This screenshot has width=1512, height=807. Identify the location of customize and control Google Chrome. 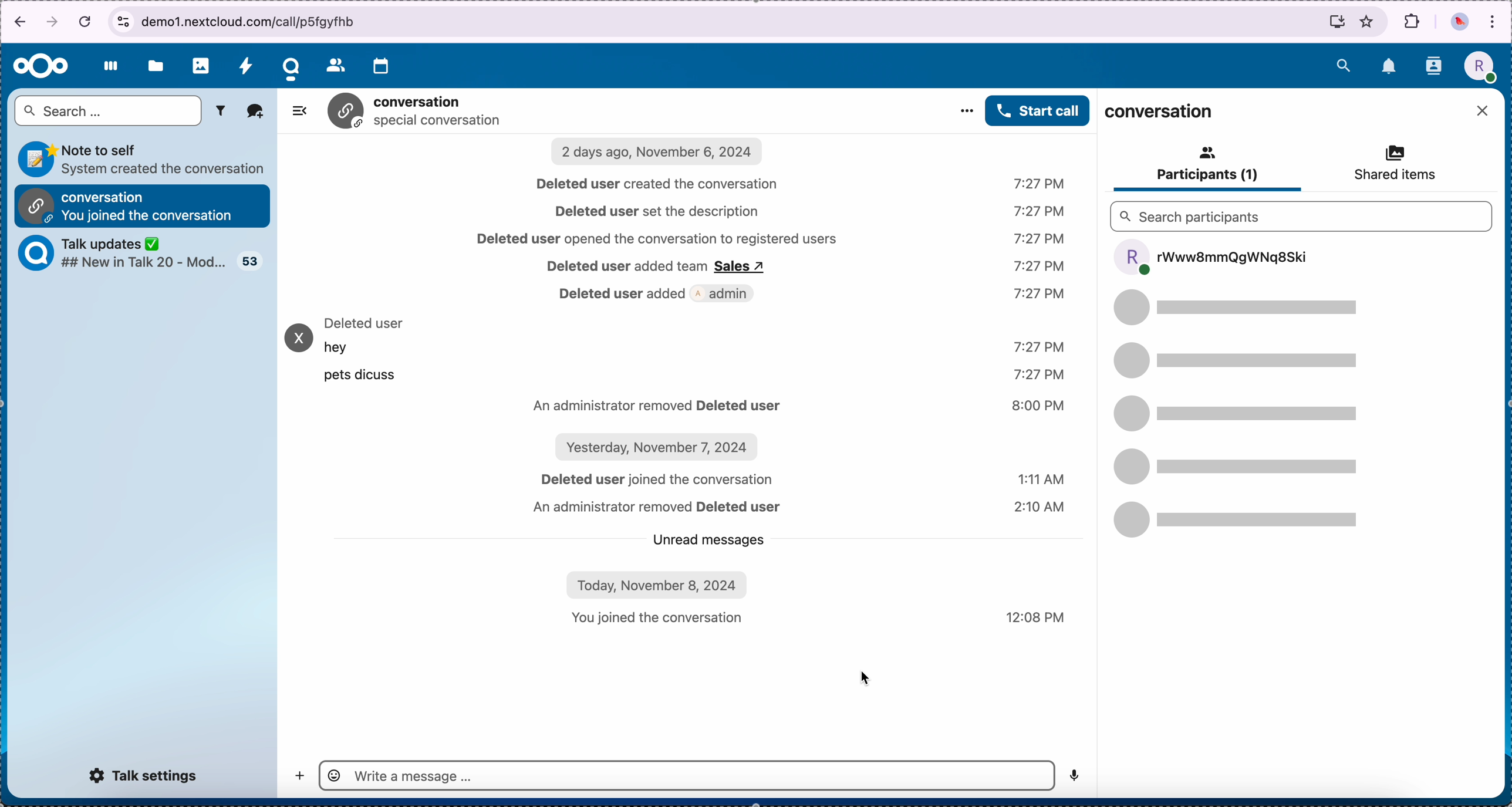
(1493, 25).